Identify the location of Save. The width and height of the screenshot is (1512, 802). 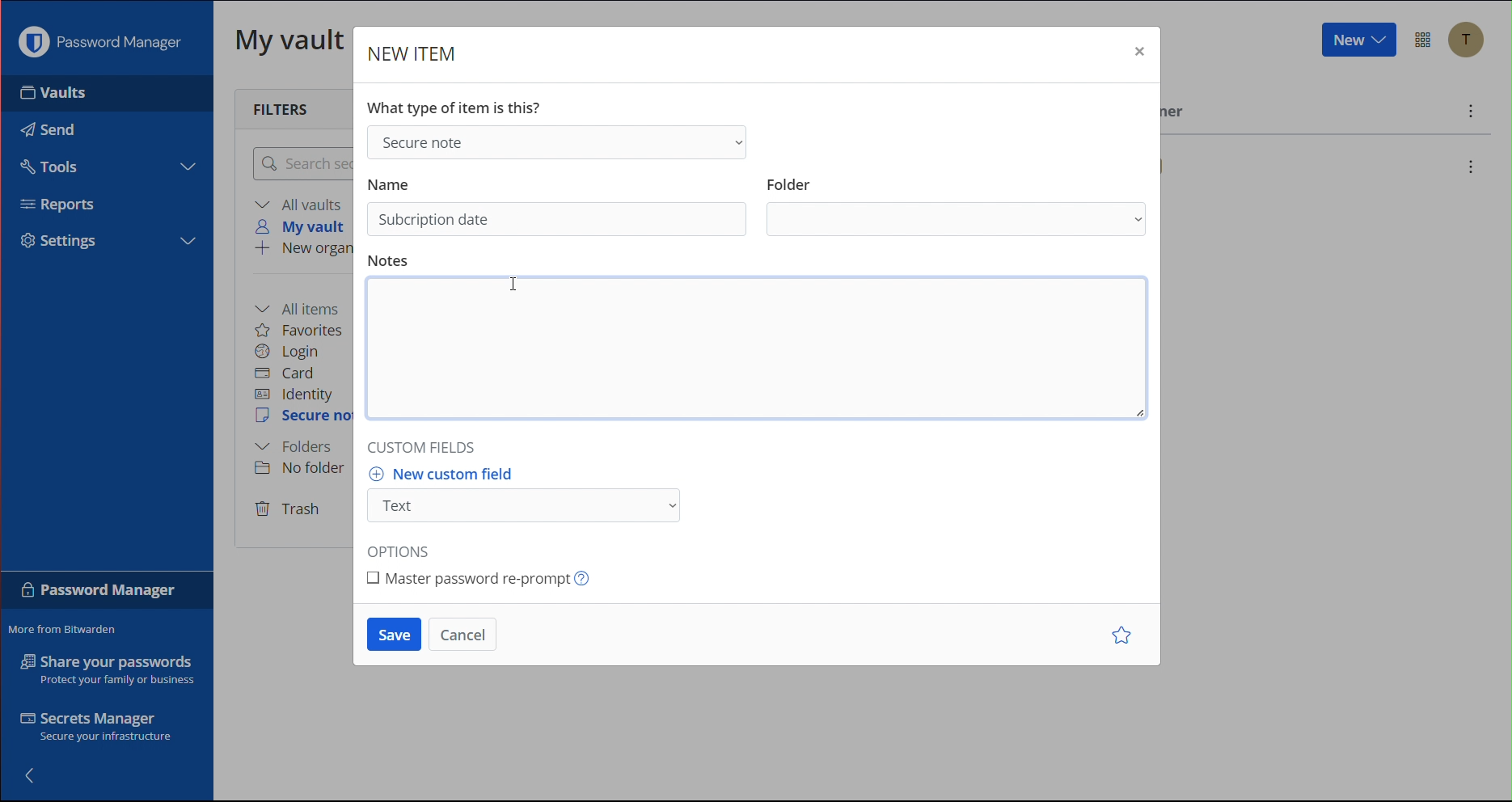
(394, 635).